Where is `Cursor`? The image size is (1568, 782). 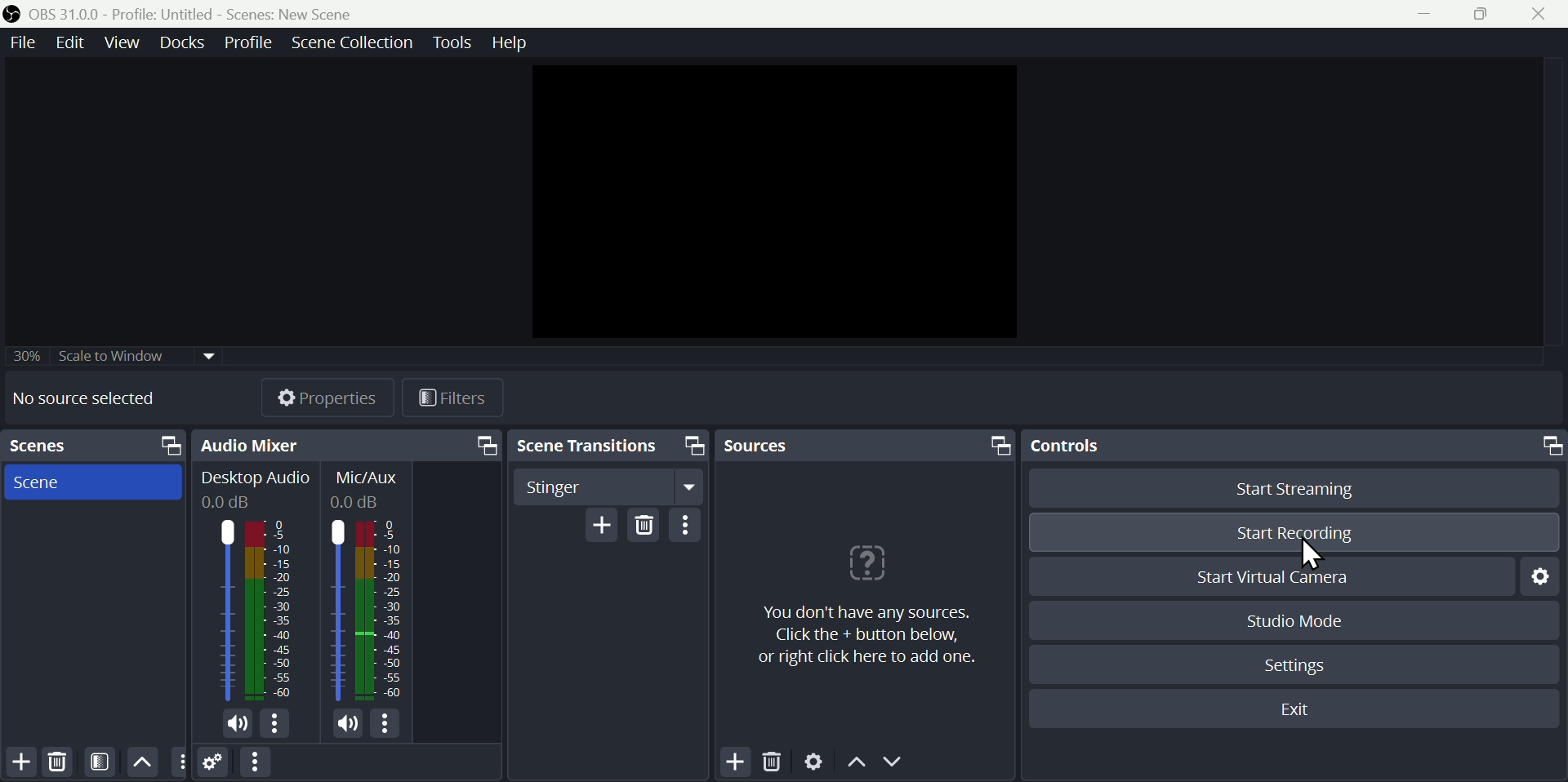 Cursor is located at coordinates (1311, 555).